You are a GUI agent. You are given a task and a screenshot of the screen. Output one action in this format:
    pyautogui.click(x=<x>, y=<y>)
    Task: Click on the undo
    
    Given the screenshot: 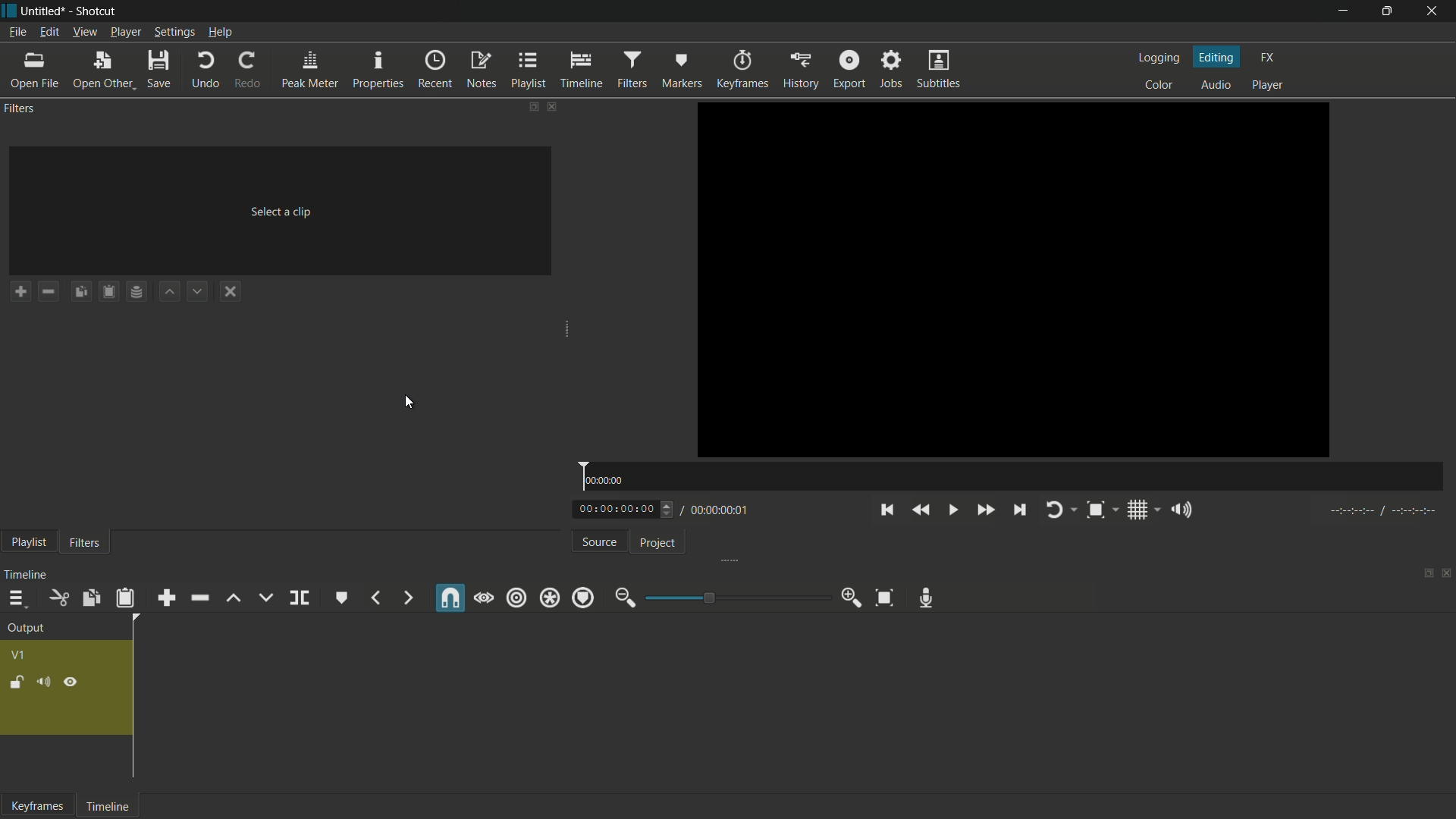 What is the action you would take?
    pyautogui.click(x=203, y=68)
    